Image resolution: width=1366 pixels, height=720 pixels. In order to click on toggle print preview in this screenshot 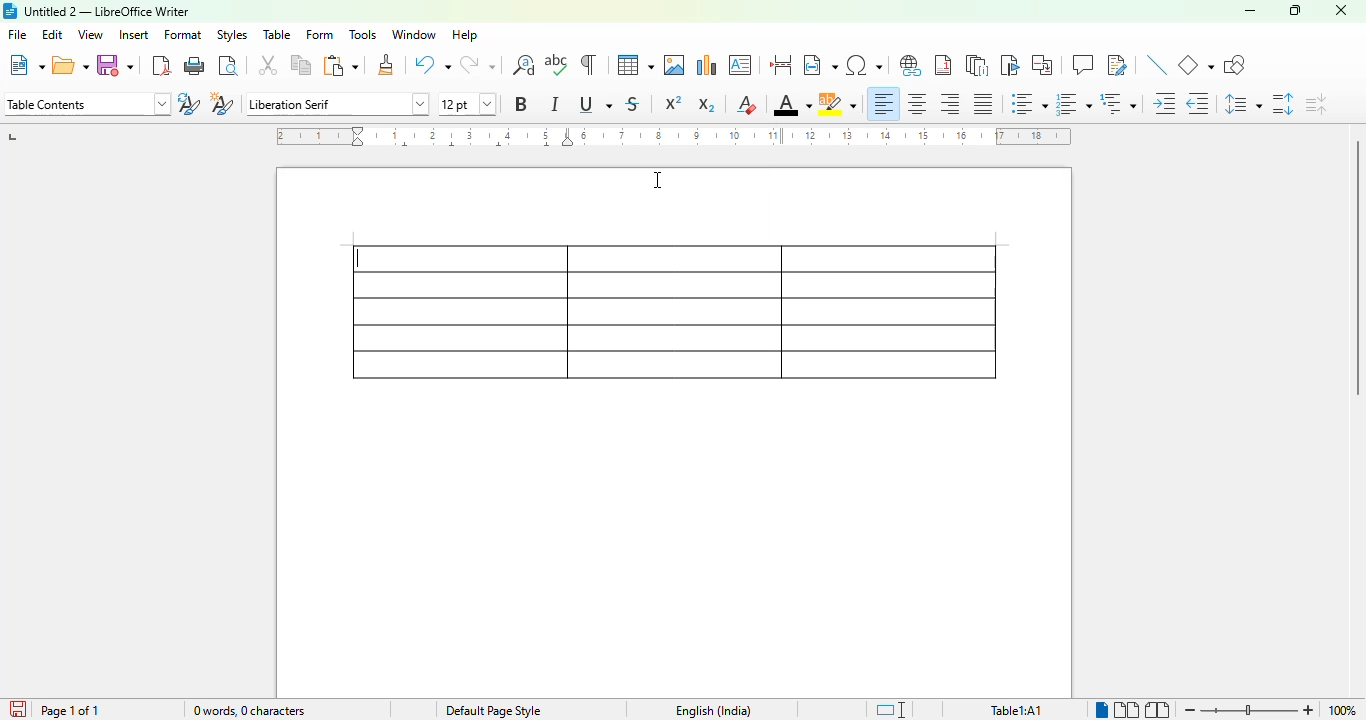, I will do `click(230, 66)`.